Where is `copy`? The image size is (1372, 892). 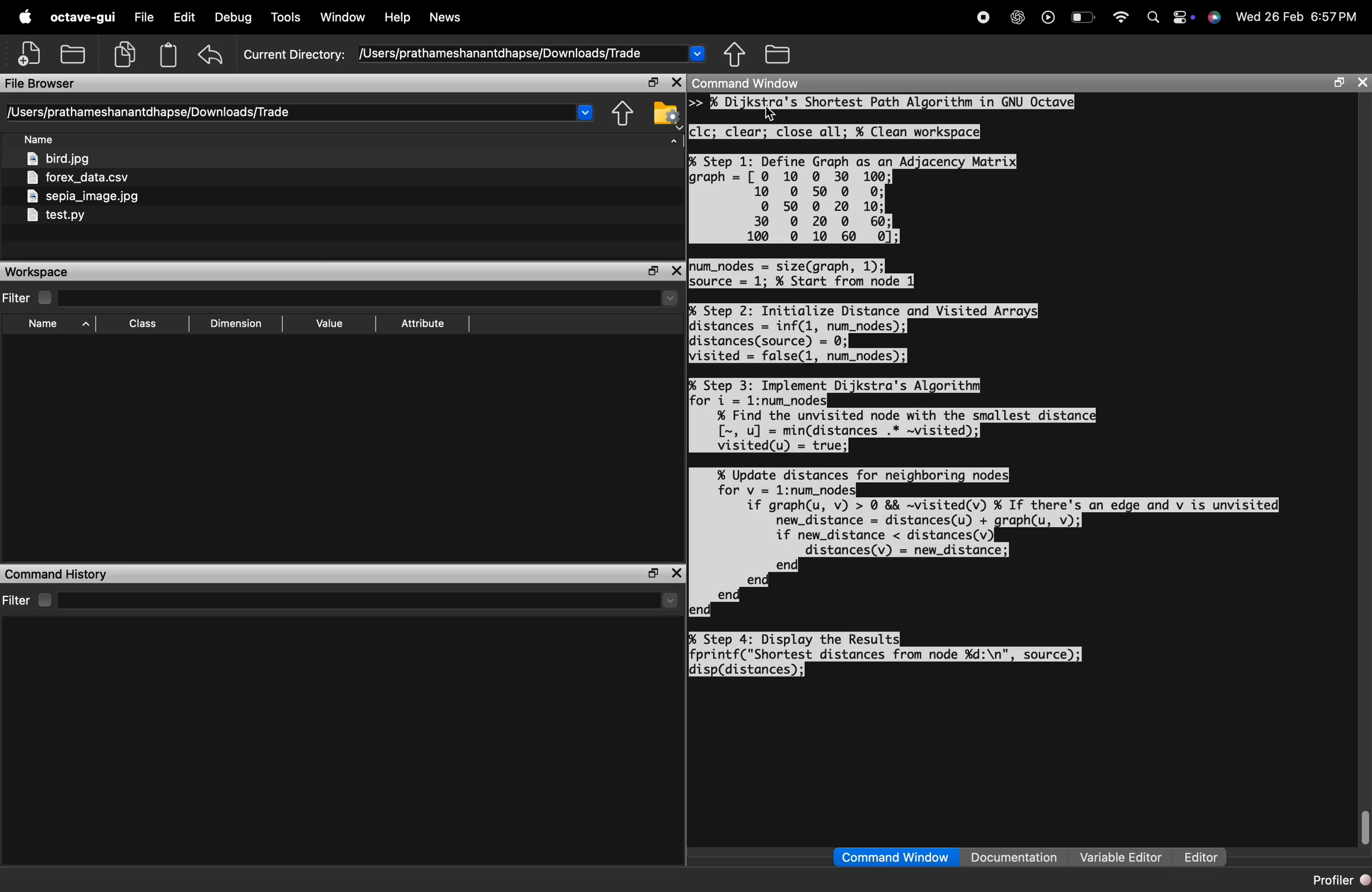
copy is located at coordinates (124, 53).